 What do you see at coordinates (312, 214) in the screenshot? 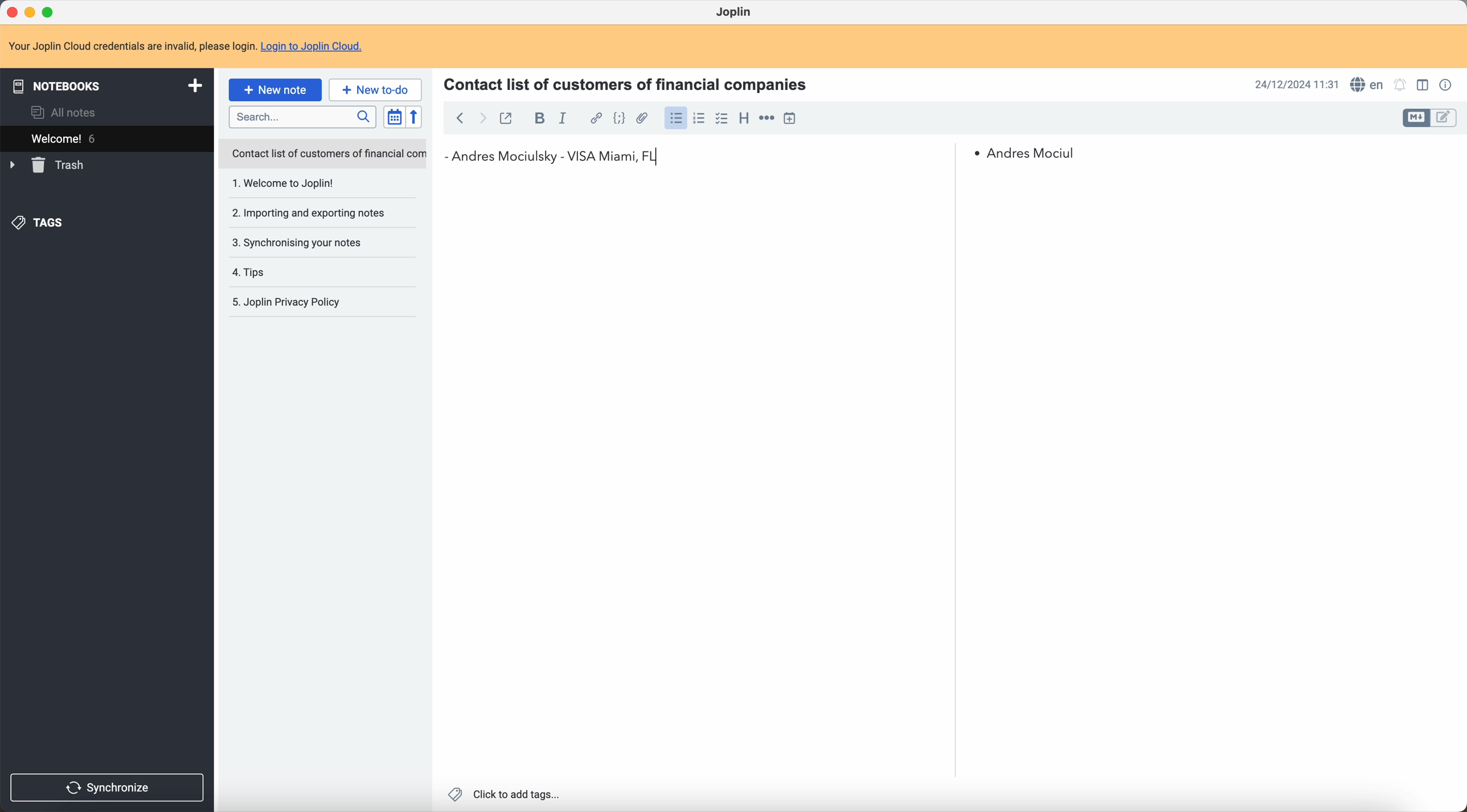
I see `2. Importing and exporting notes` at bounding box center [312, 214].